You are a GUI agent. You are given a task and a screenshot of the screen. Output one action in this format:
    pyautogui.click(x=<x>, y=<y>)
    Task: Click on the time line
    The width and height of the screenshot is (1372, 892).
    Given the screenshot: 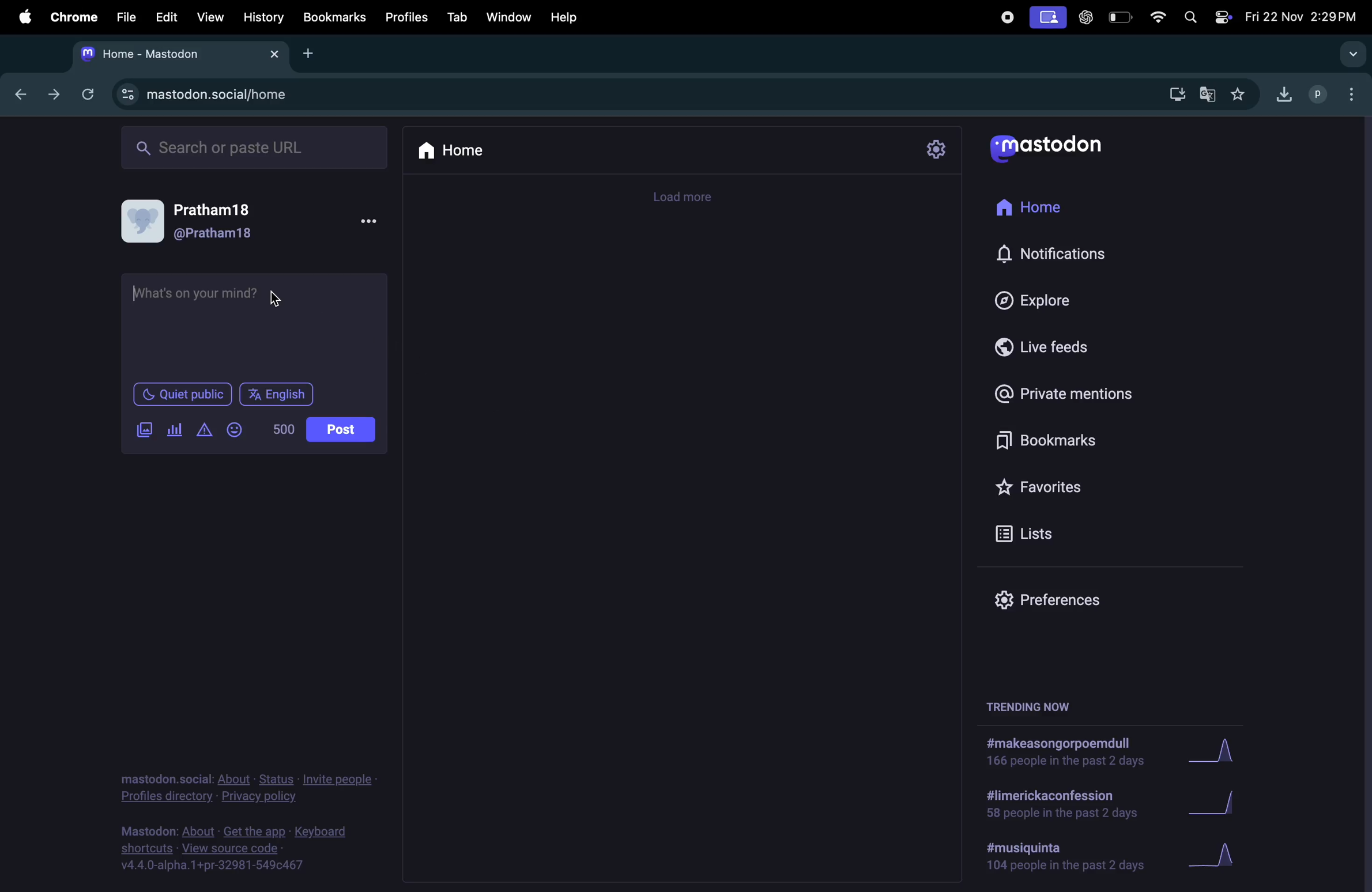 What is the action you would take?
    pyautogui.click(x=691, y=197)
    